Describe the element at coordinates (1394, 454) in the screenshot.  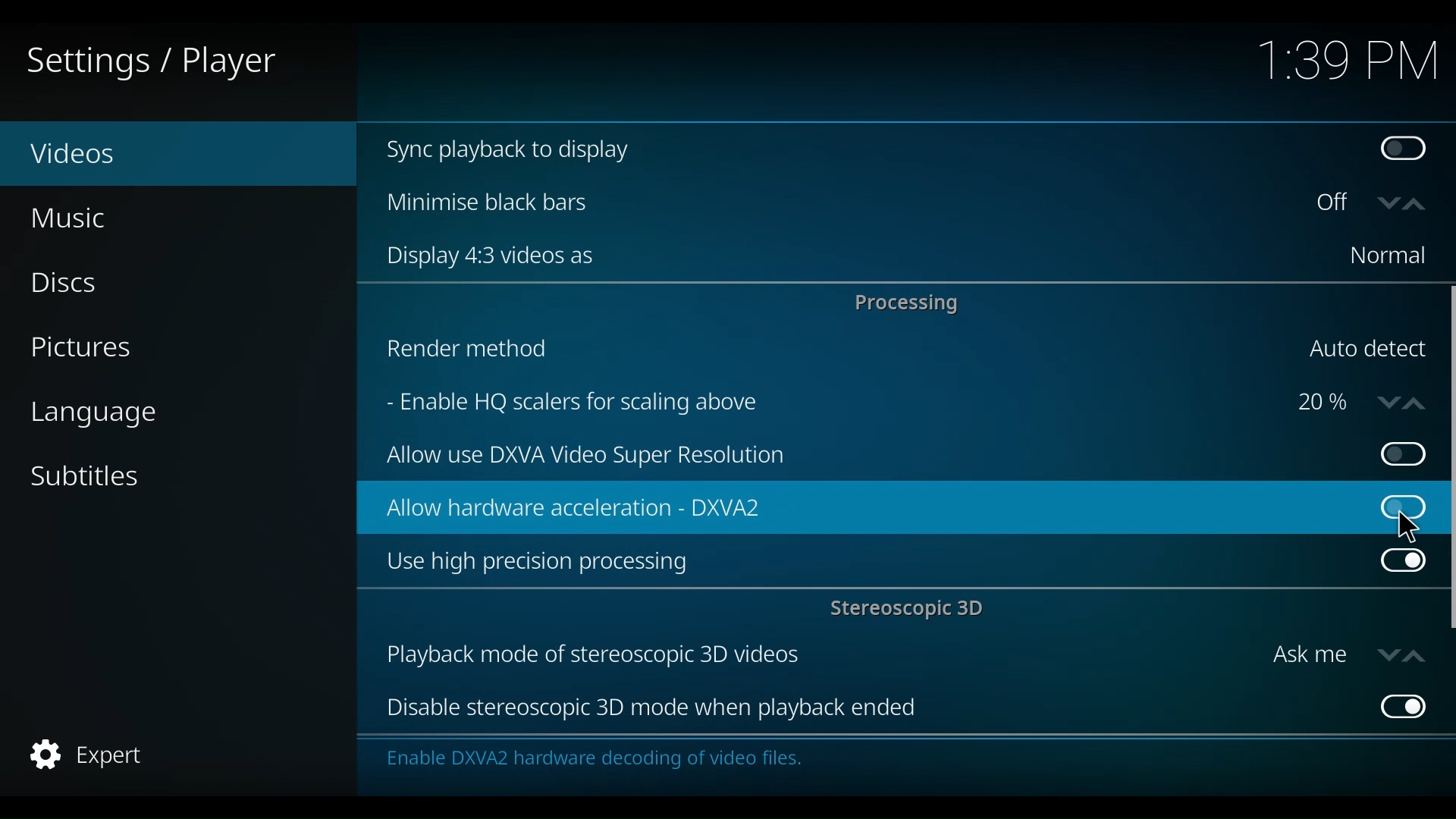
I see `Toggle on/off` at that location.